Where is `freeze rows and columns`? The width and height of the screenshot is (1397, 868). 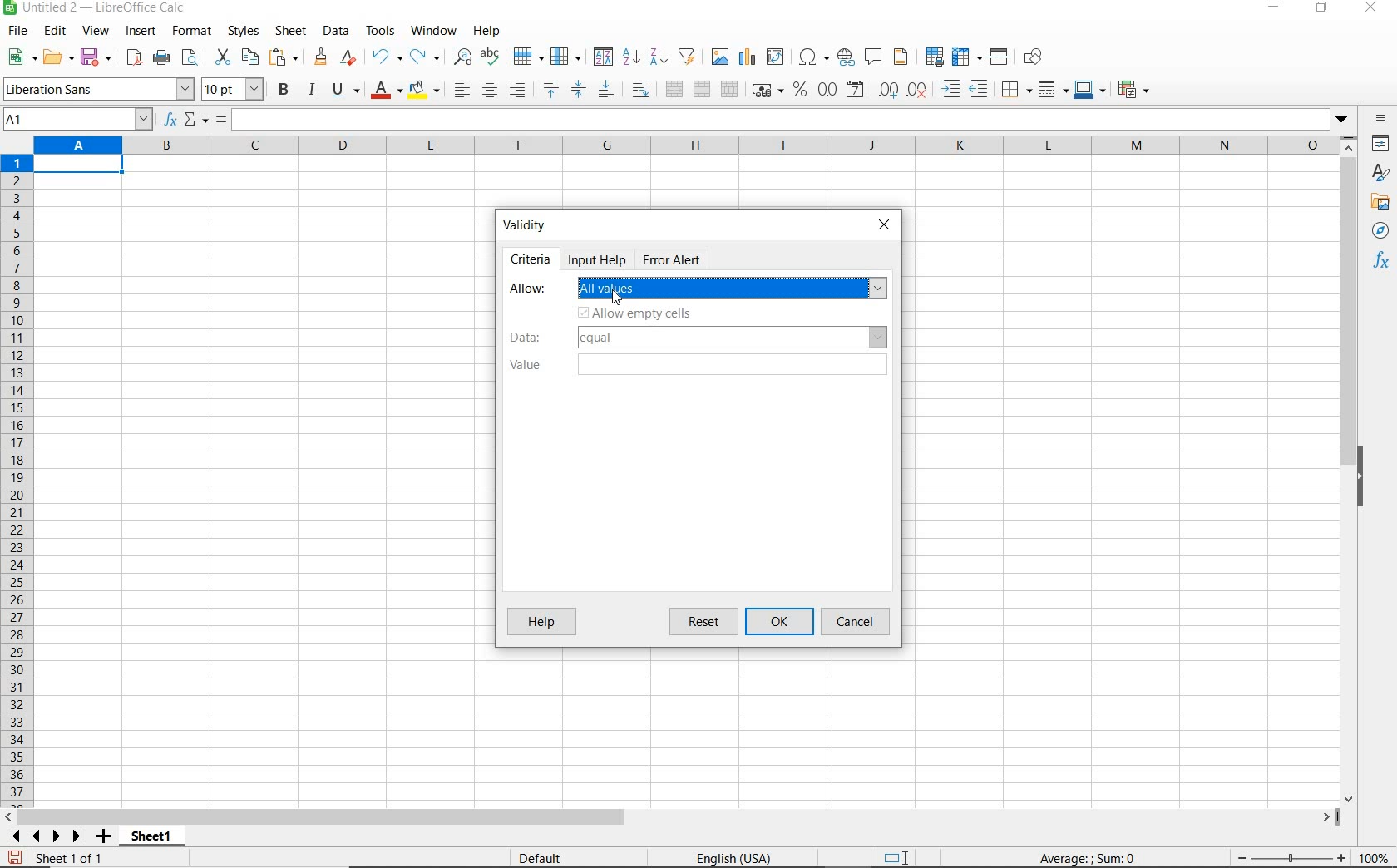
freeze rows and columns is located at coordinates (968, 57).